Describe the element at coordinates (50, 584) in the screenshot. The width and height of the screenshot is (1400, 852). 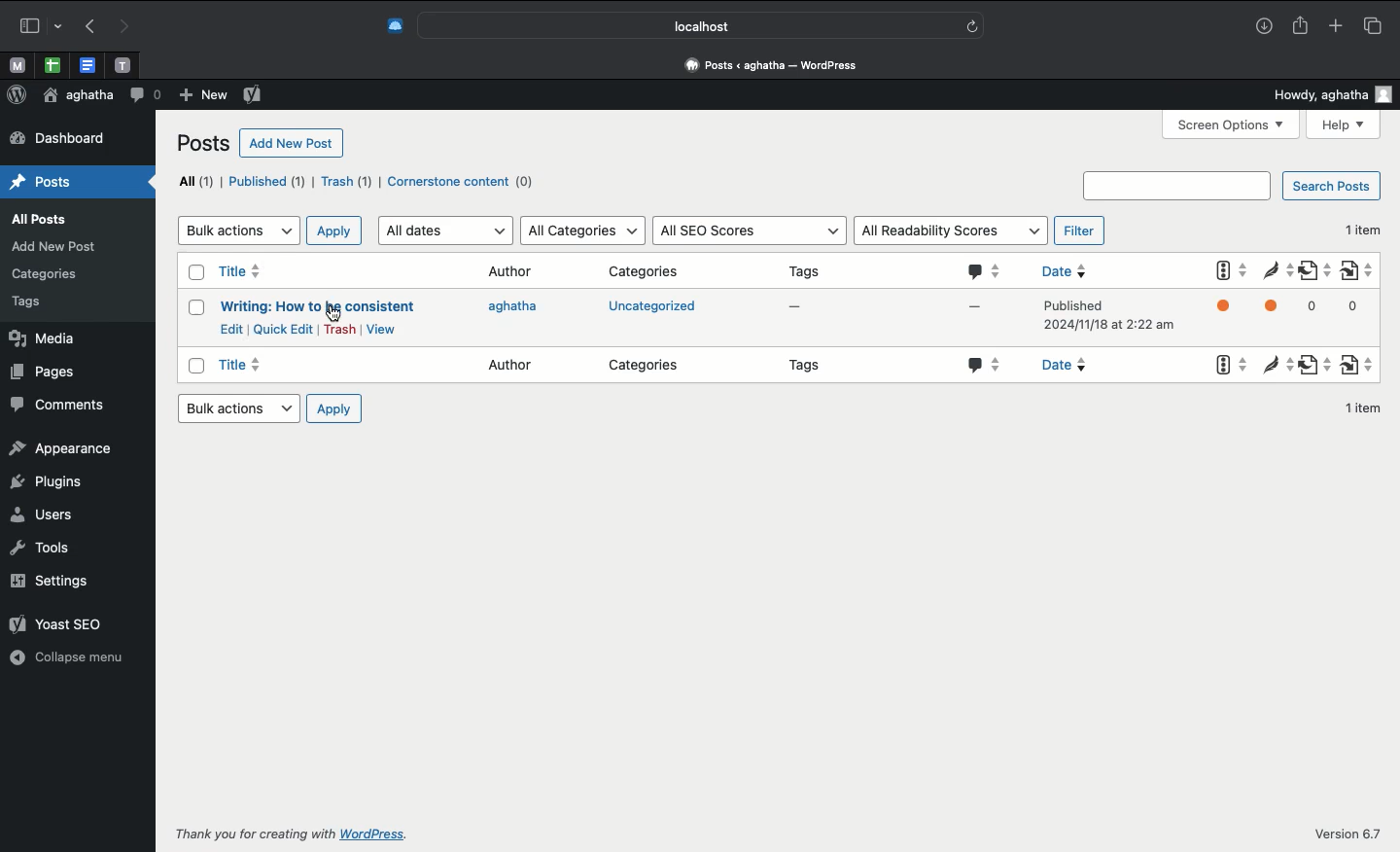
I see `settings` at that location.